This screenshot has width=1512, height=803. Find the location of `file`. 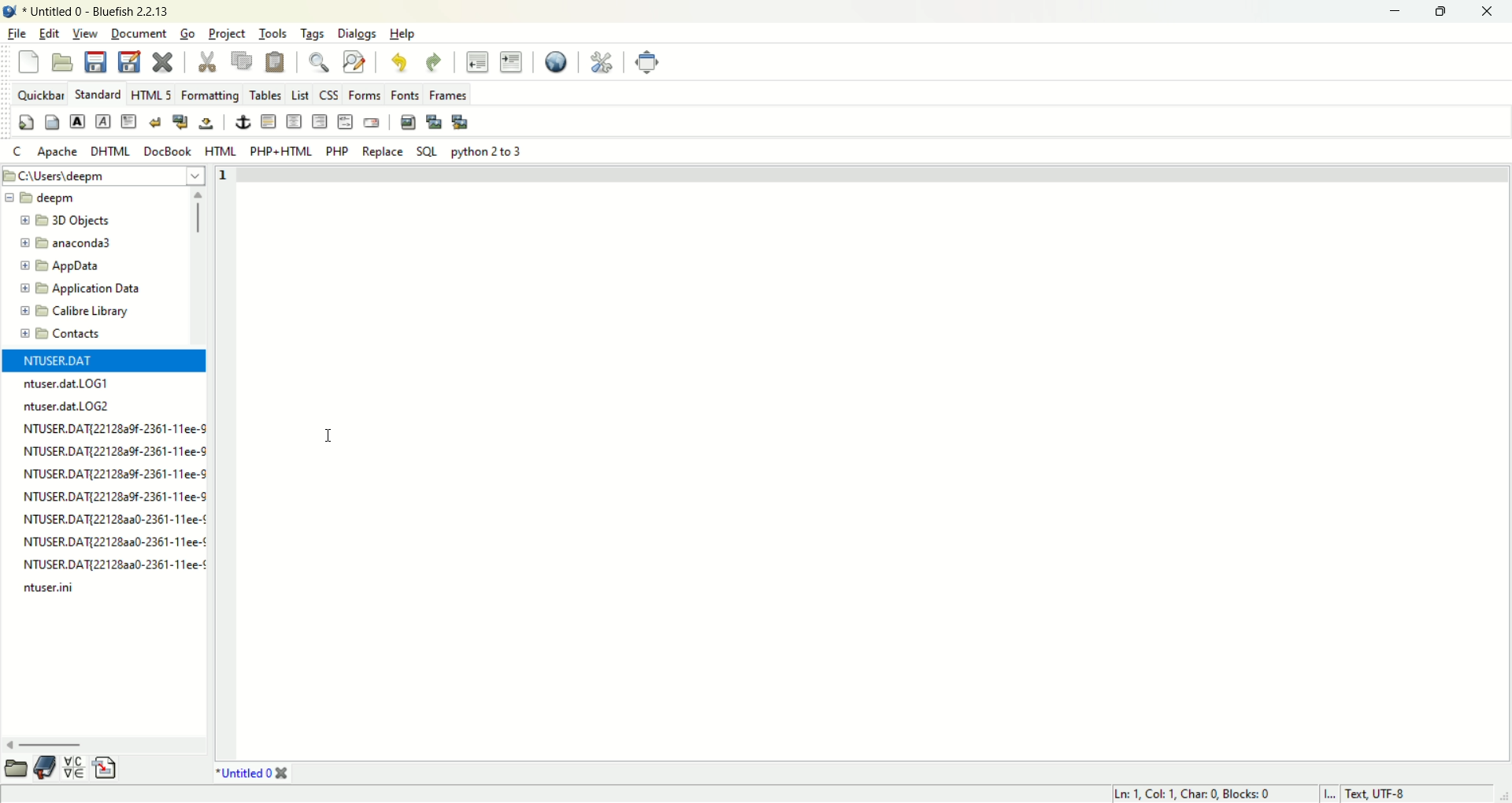

file is located at coordinates (15, 32).